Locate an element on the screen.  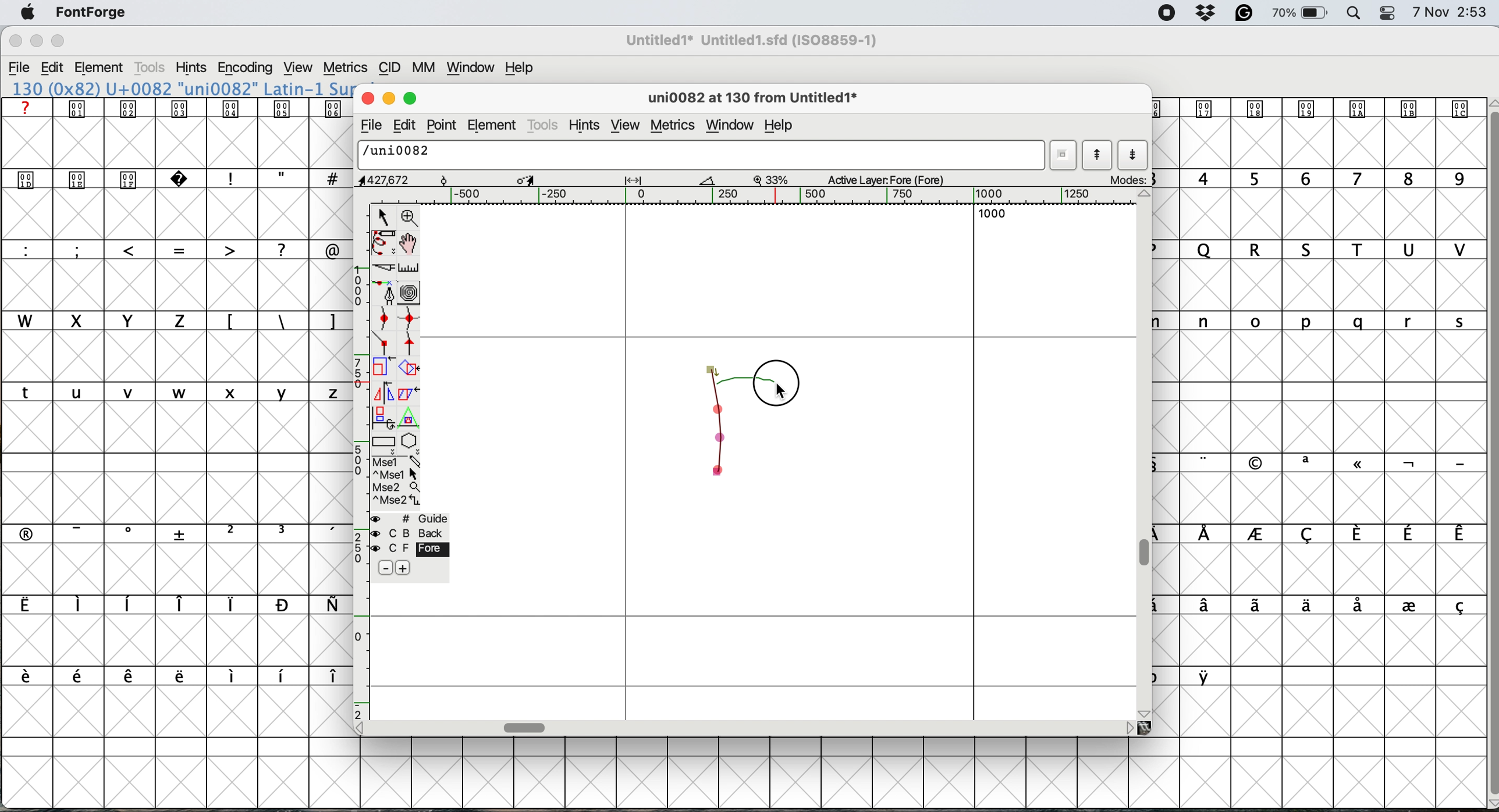
special characters is located at coordinates (1310, 462).